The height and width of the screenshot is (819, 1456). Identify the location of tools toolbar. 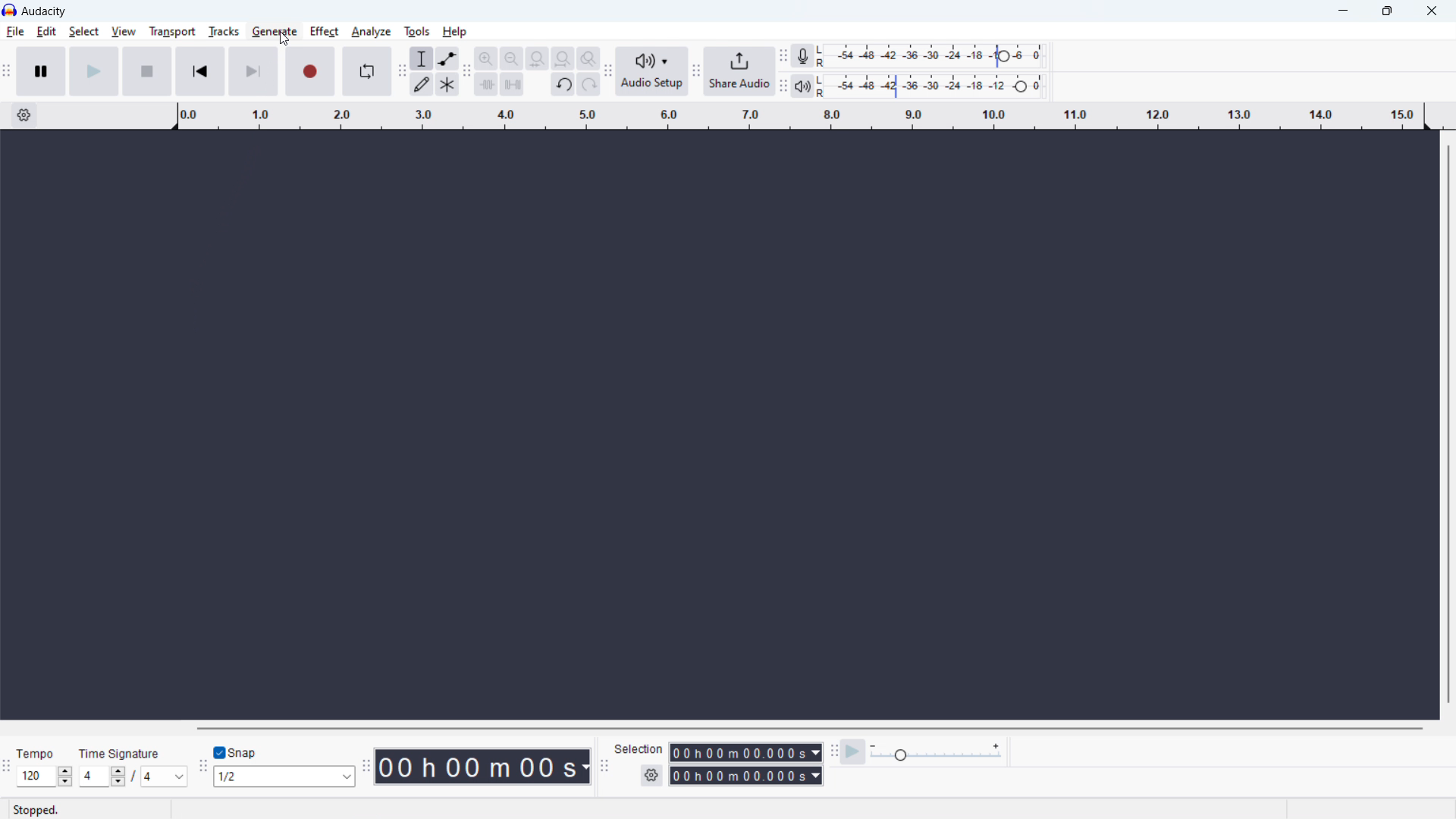
(403, 71).